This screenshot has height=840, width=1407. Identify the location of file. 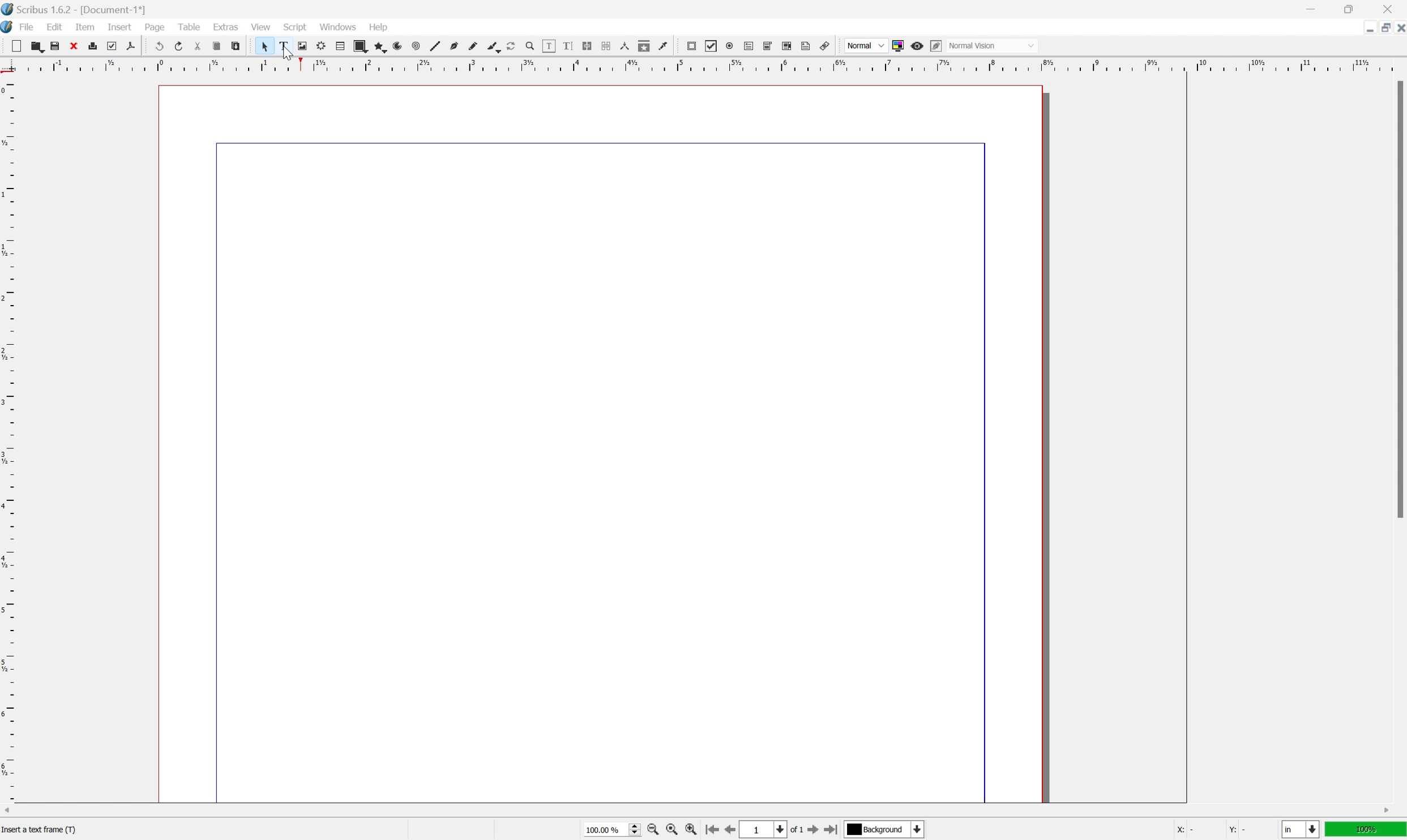
(28, 28).